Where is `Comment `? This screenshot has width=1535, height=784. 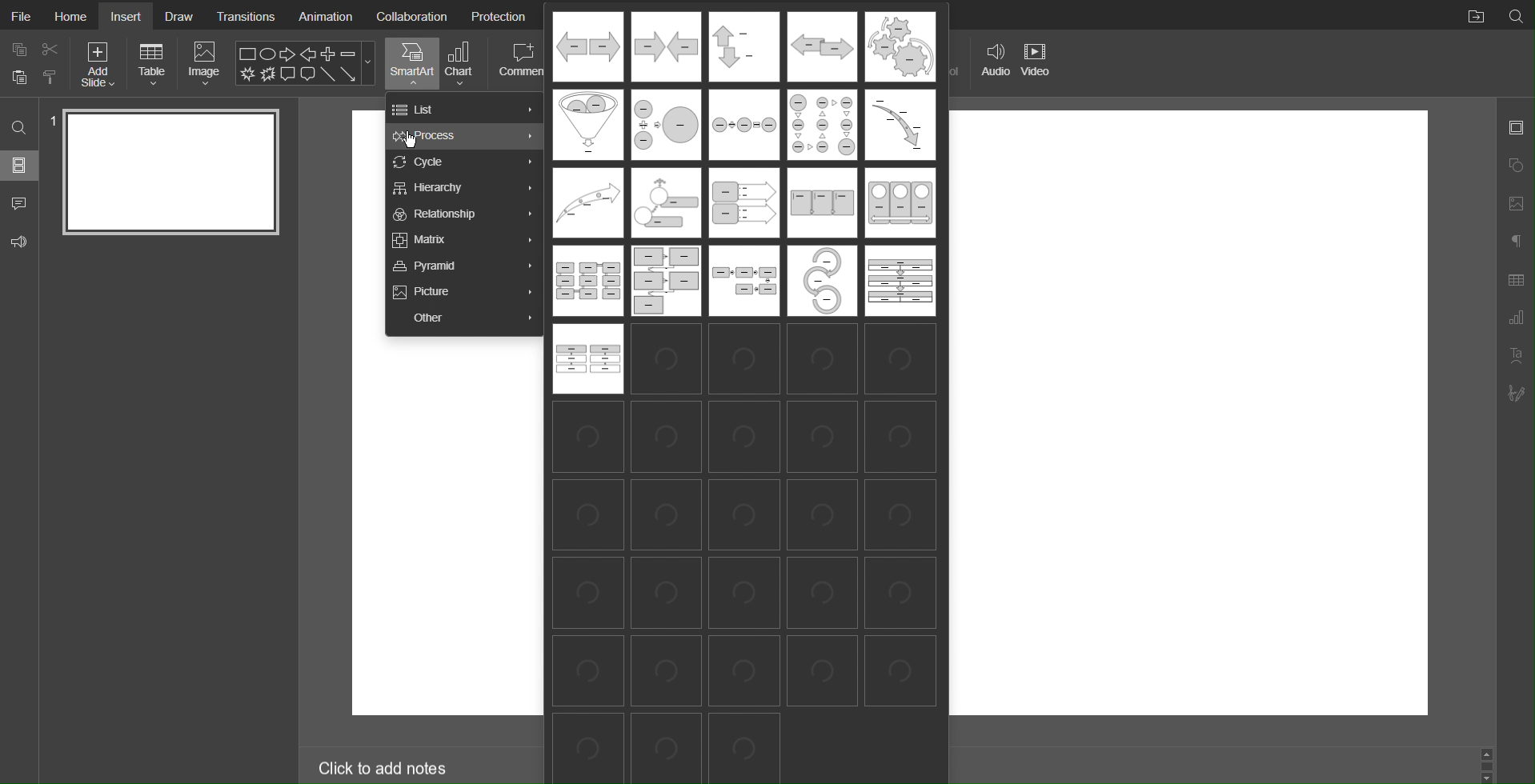 Comment  is located at coordinates (522, 64).